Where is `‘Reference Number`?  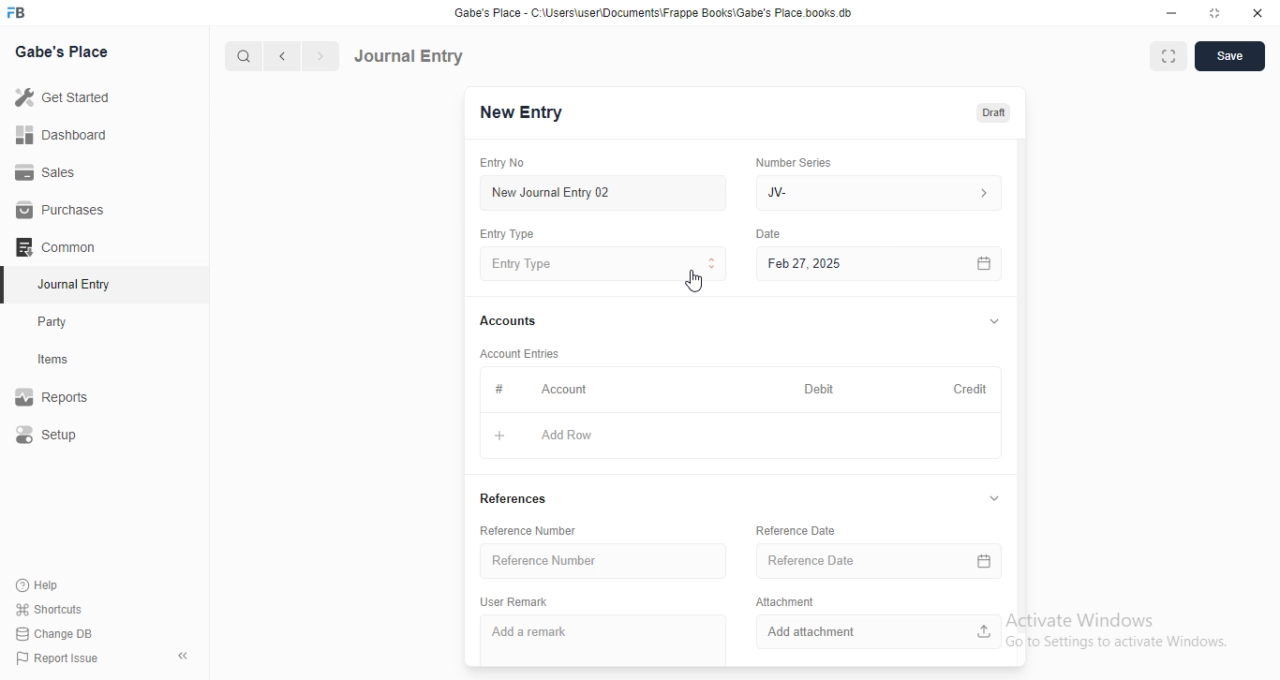
‘Reference Number is located at coordinates (607, 561).